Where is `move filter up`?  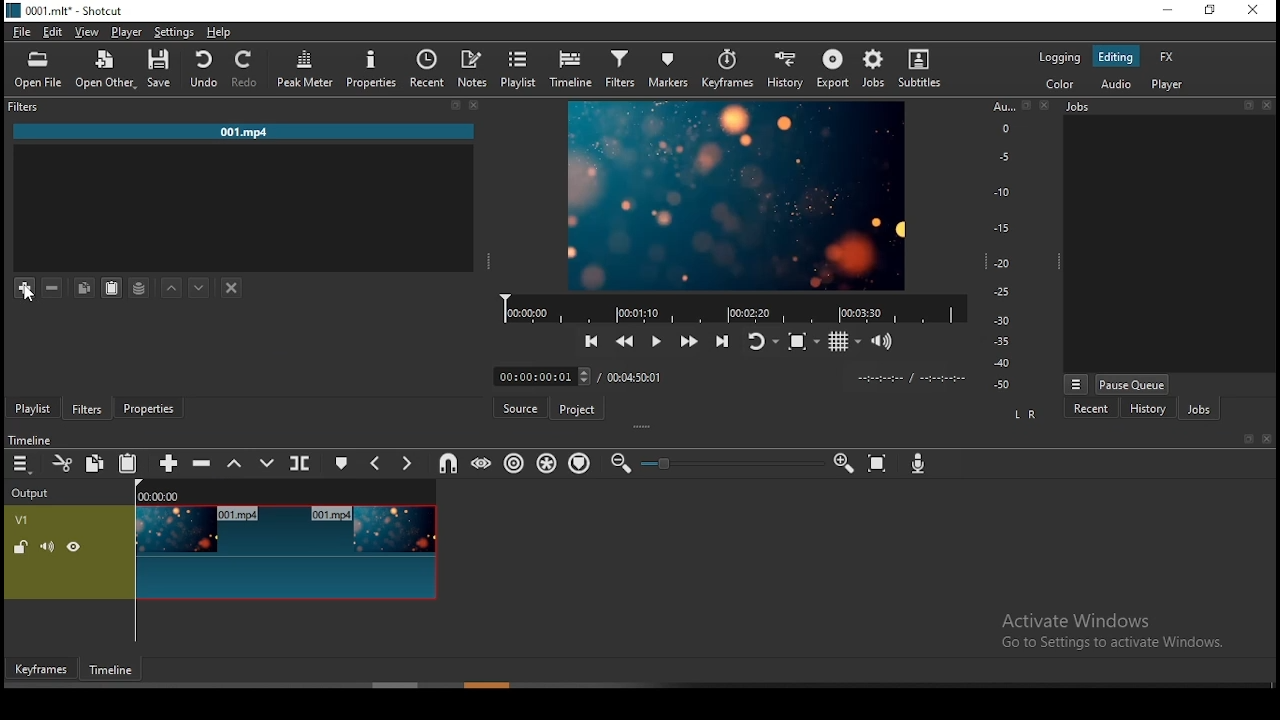 move filter up is located at coordinates (170, 287).